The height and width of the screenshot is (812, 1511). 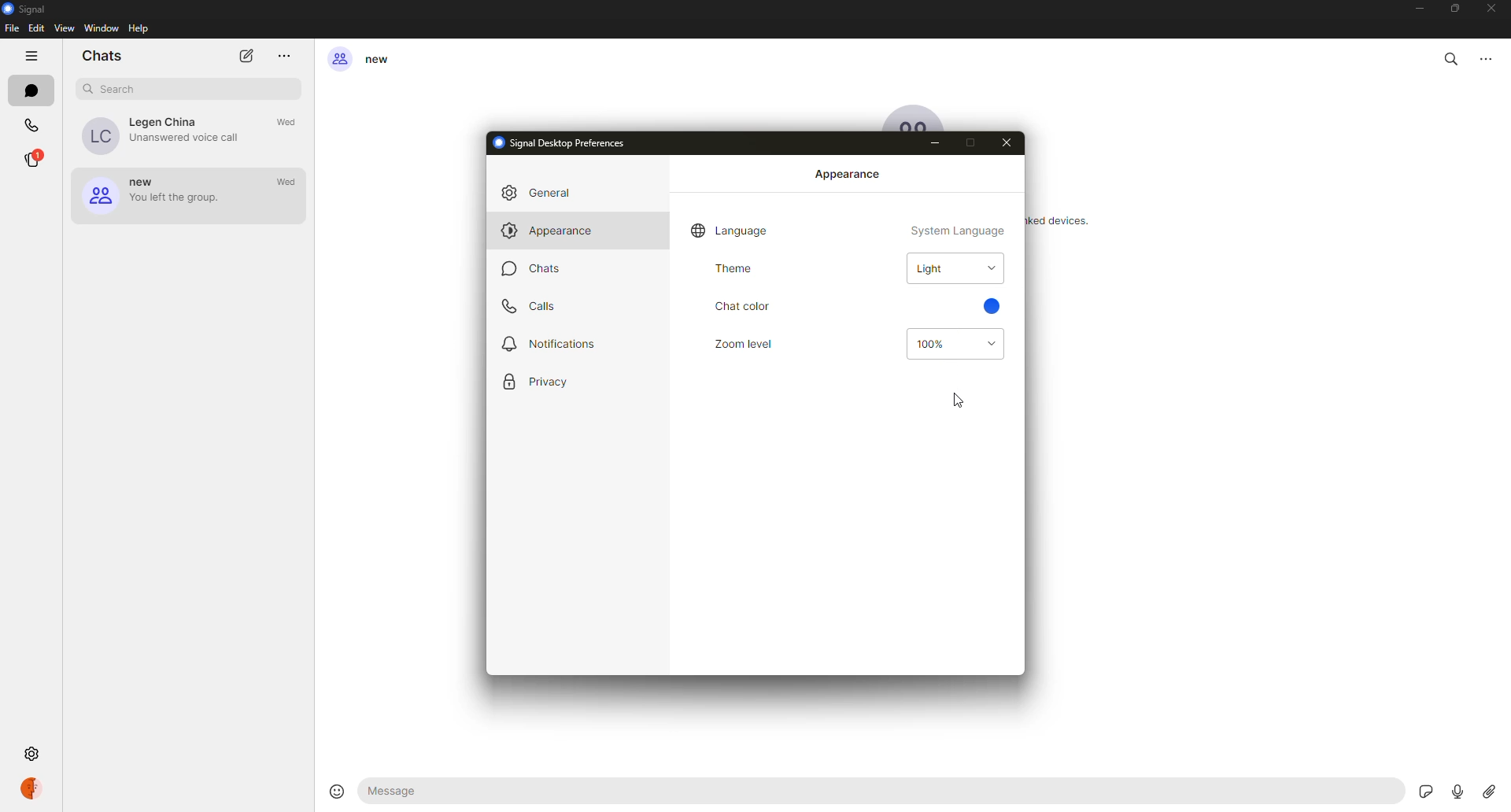 I want to click on new, so click(x=157, y=195).